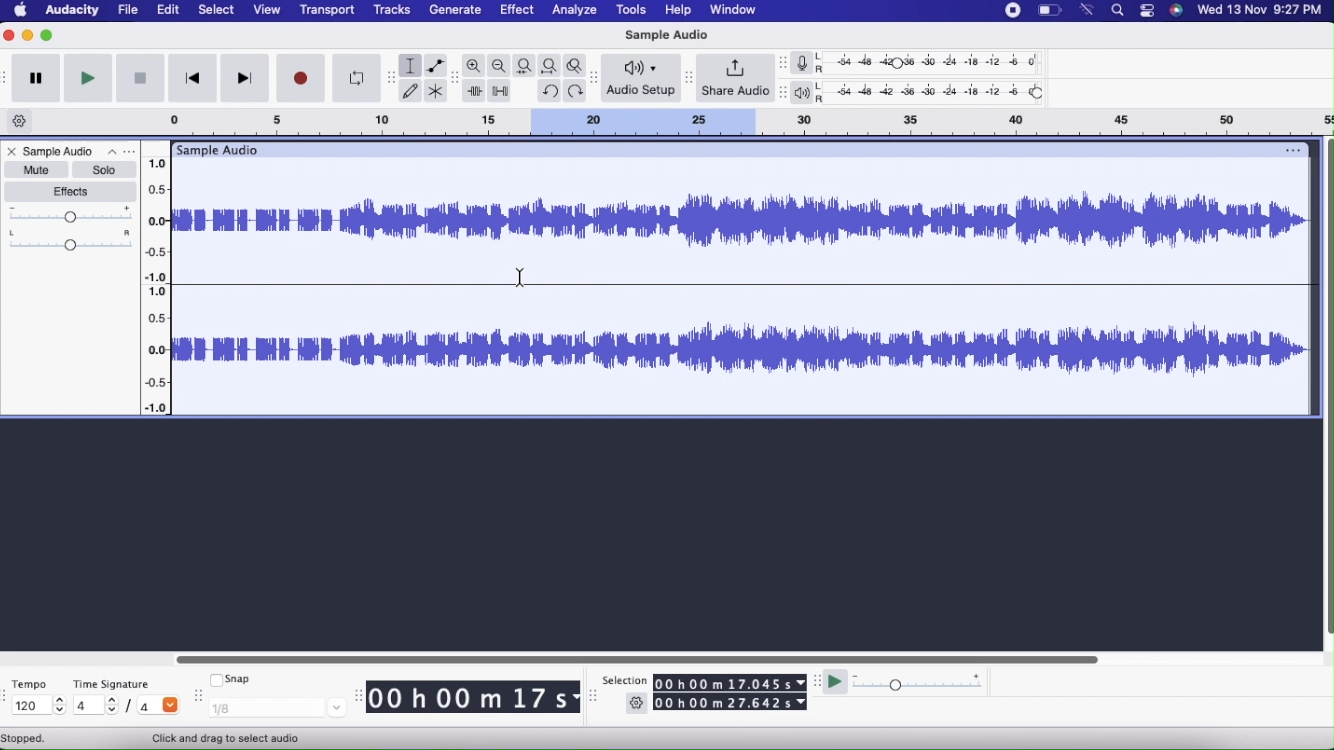  I want to click on app icon, so click(1177, 11).